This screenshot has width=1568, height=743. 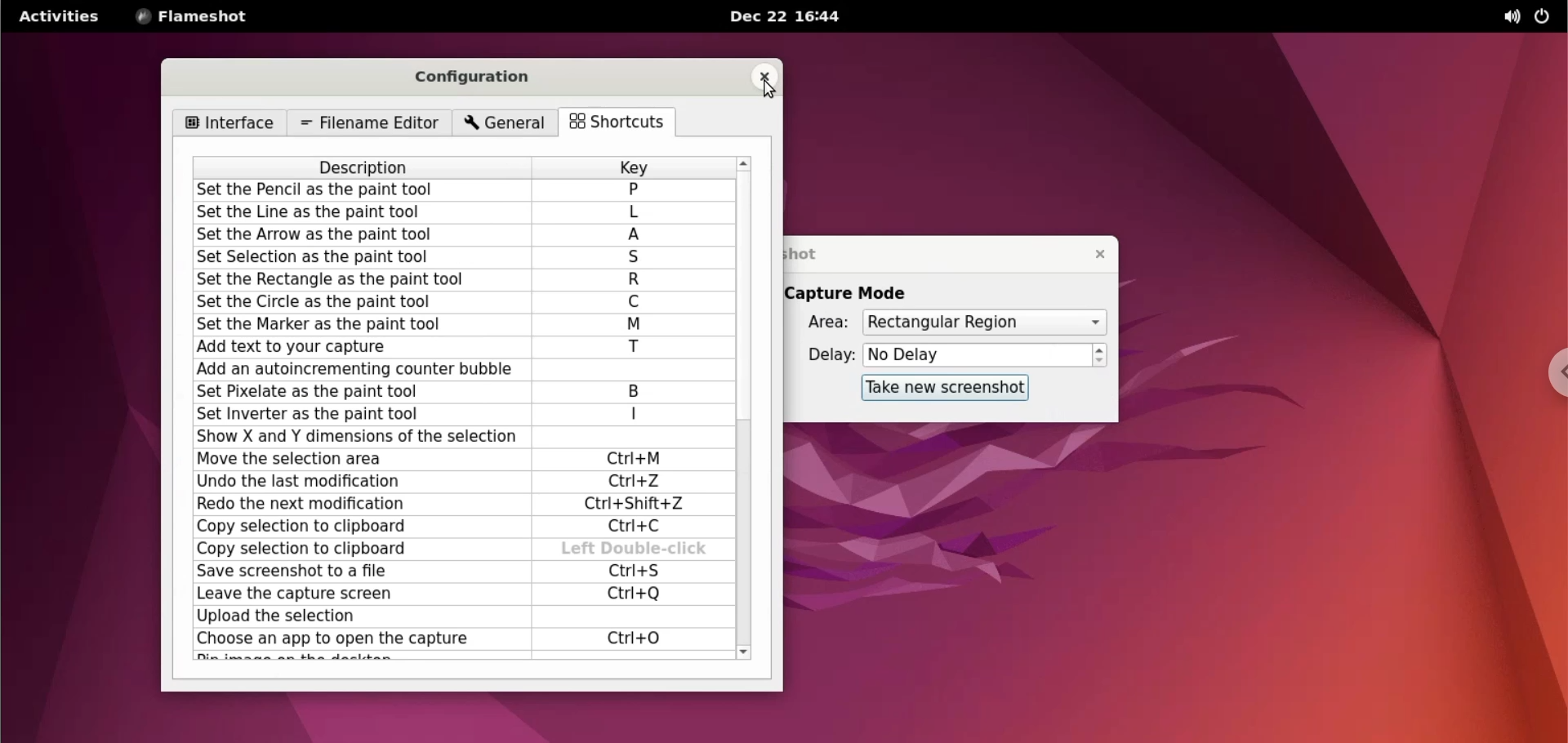 What do you see at coordinates (635, 414) in the screenshot?
I see `I ` at bounding box center [635, 414].